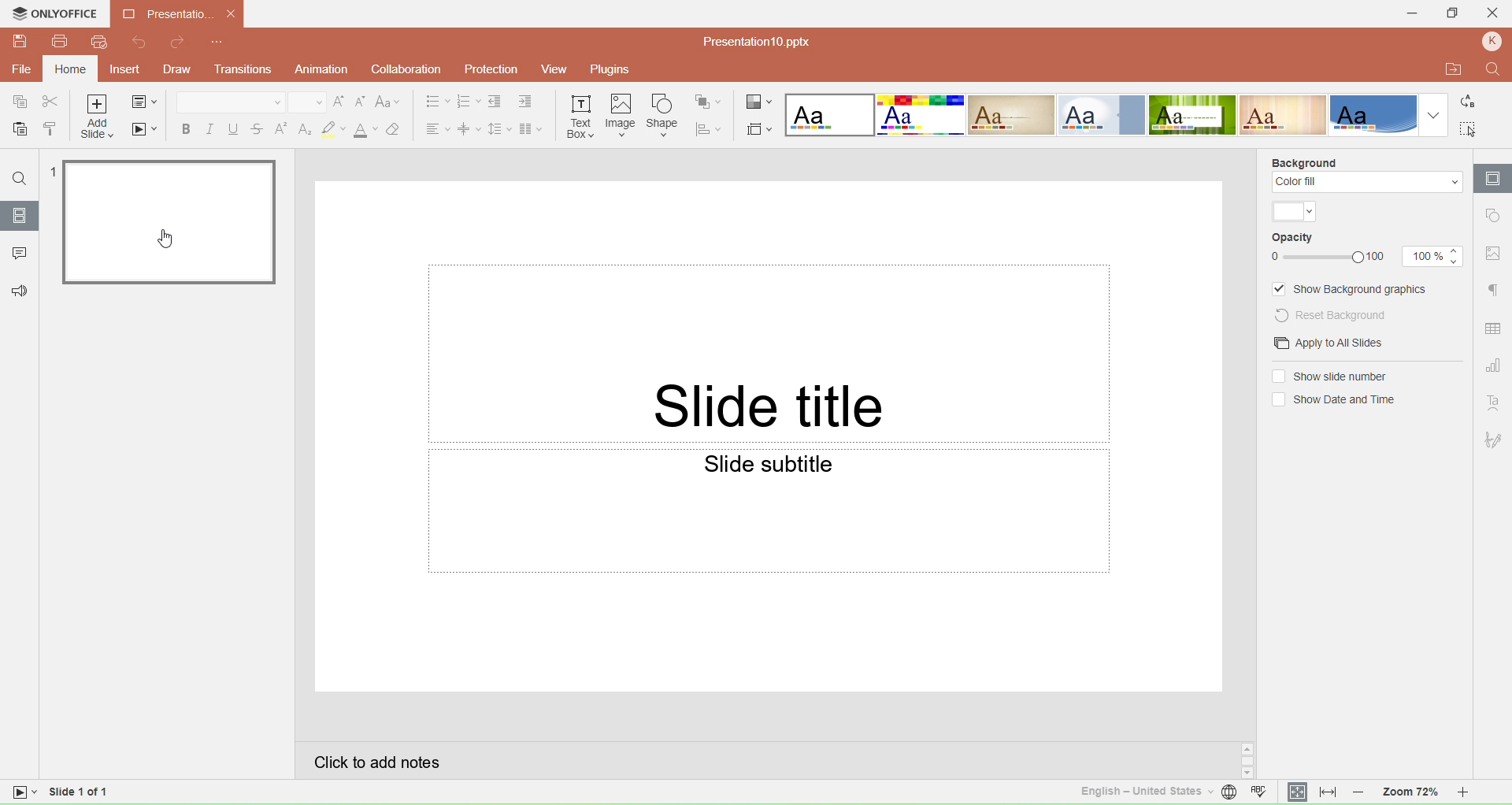 The image size is (1512, 805). What do you see at coordinates (17, 130) in the screenshot?
I see `Paste` at bounding box center [17, 130].